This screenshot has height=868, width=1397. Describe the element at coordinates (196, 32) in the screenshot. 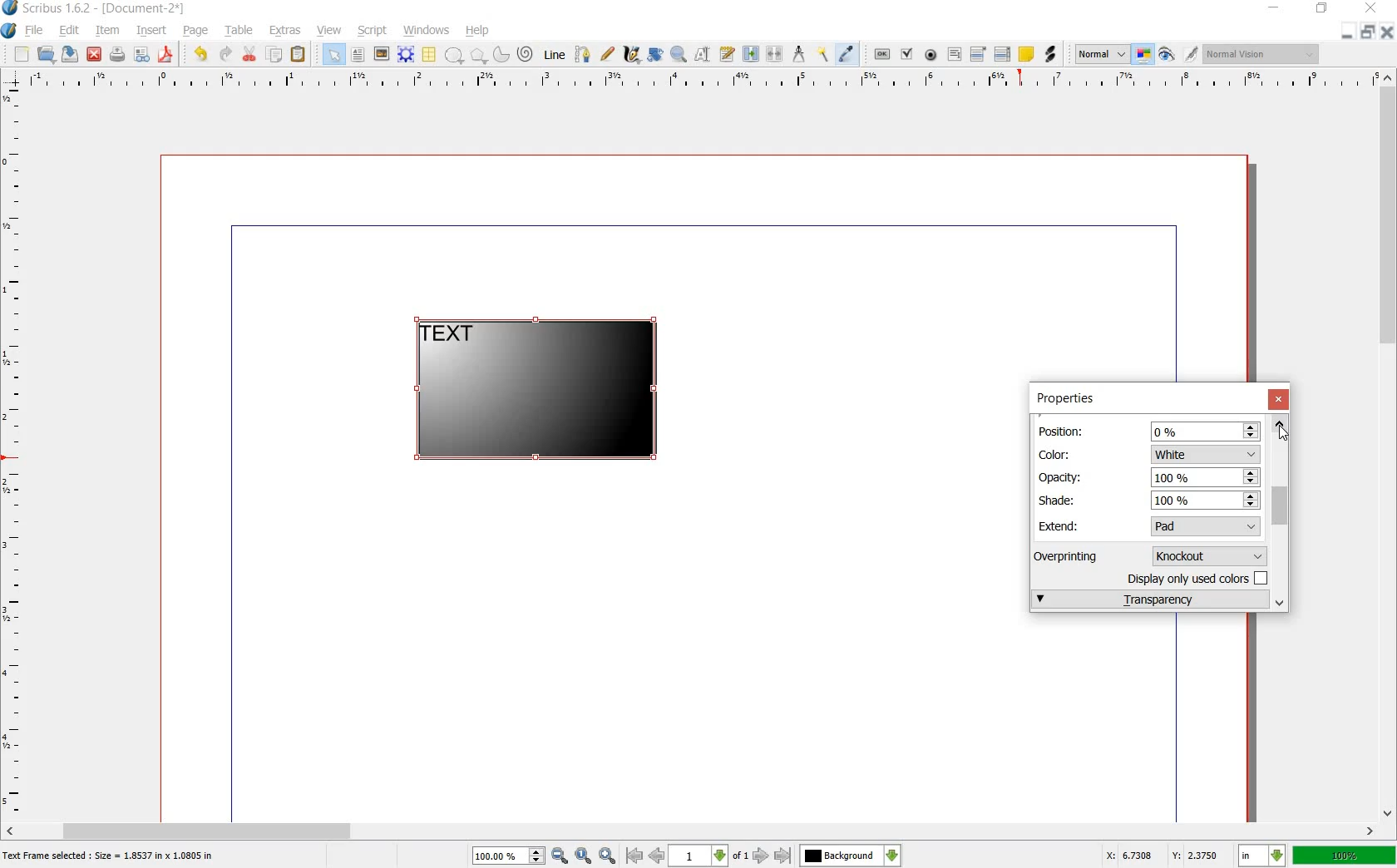

I see `page` at that location.